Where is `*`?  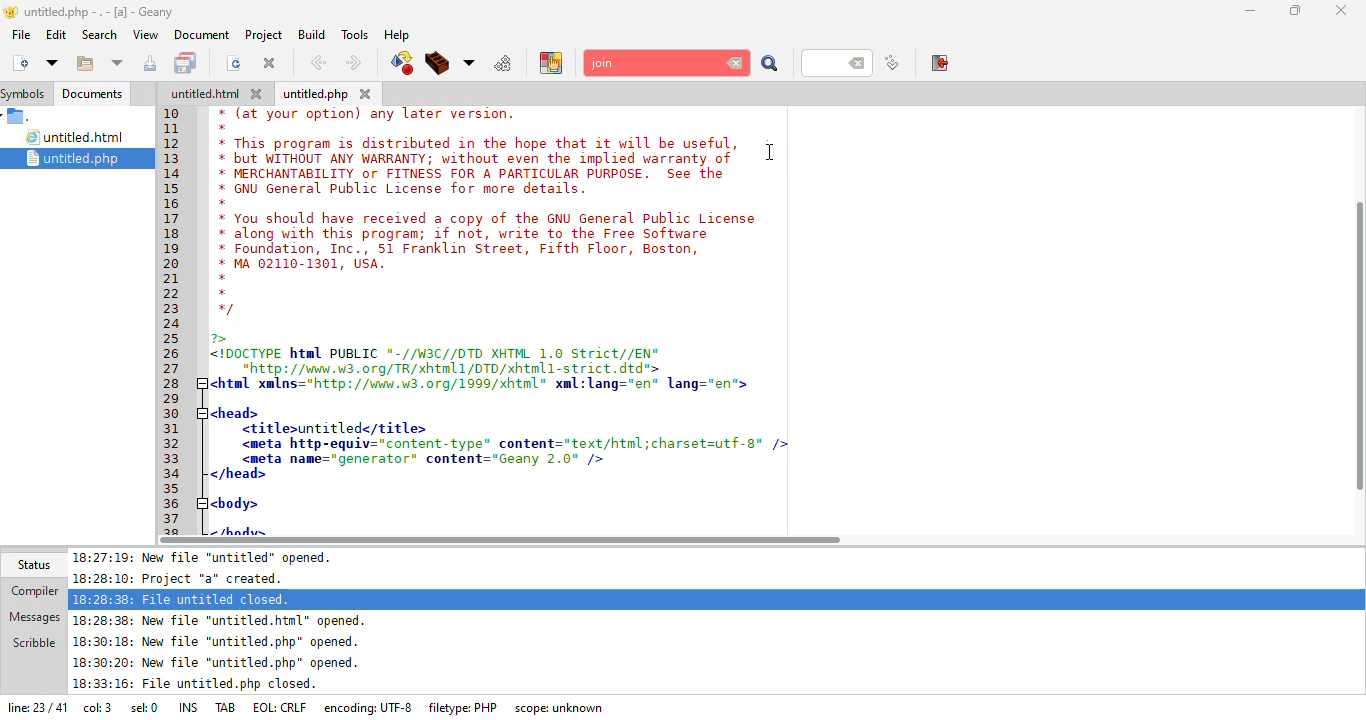
* is located at coordinates (223, 292).